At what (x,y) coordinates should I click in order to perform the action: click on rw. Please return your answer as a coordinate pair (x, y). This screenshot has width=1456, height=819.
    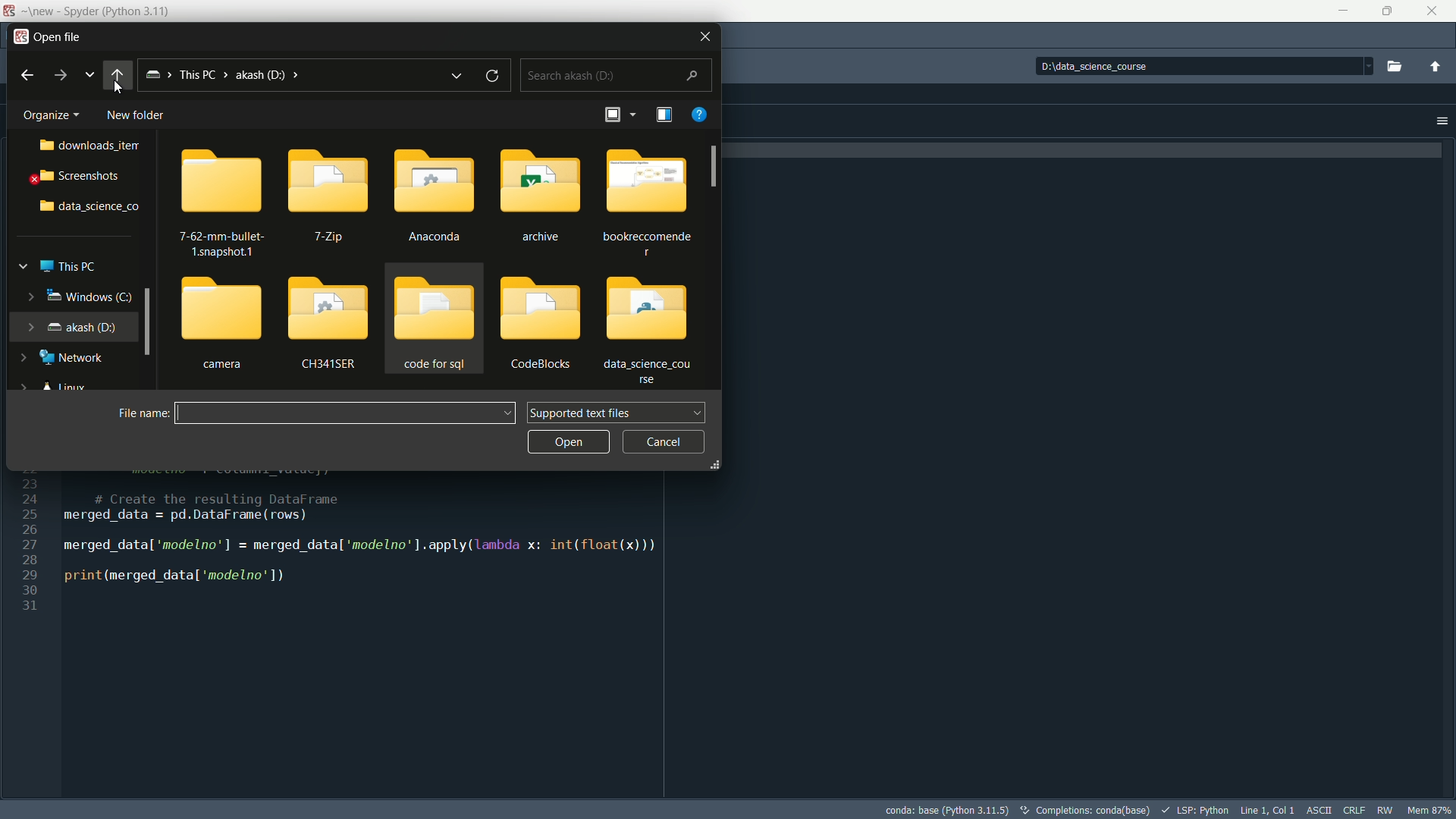
    Looking at the image, I should click on (1386, 809).